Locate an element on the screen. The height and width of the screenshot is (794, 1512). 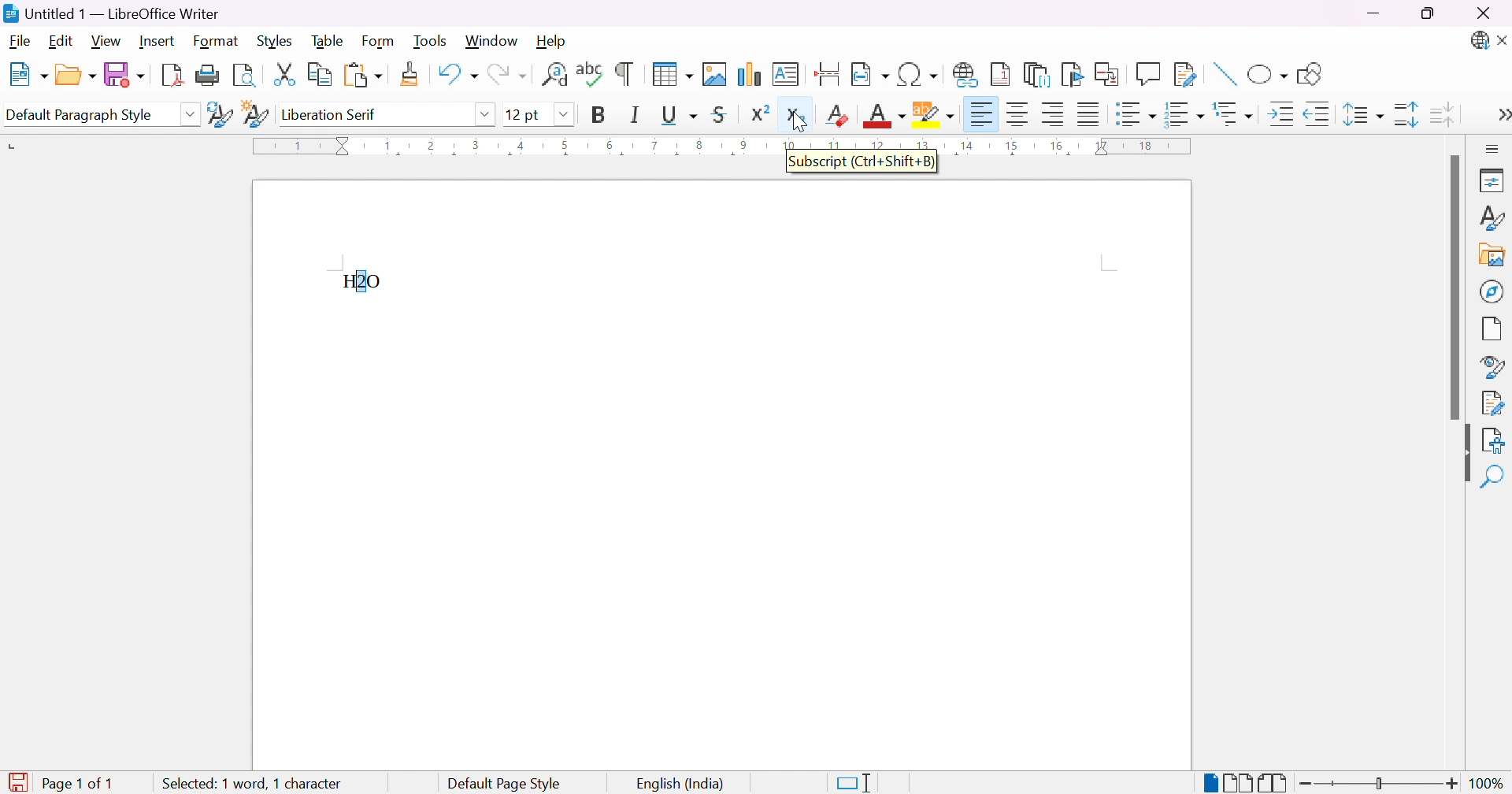
Align left is located at coordinates (981, 116).